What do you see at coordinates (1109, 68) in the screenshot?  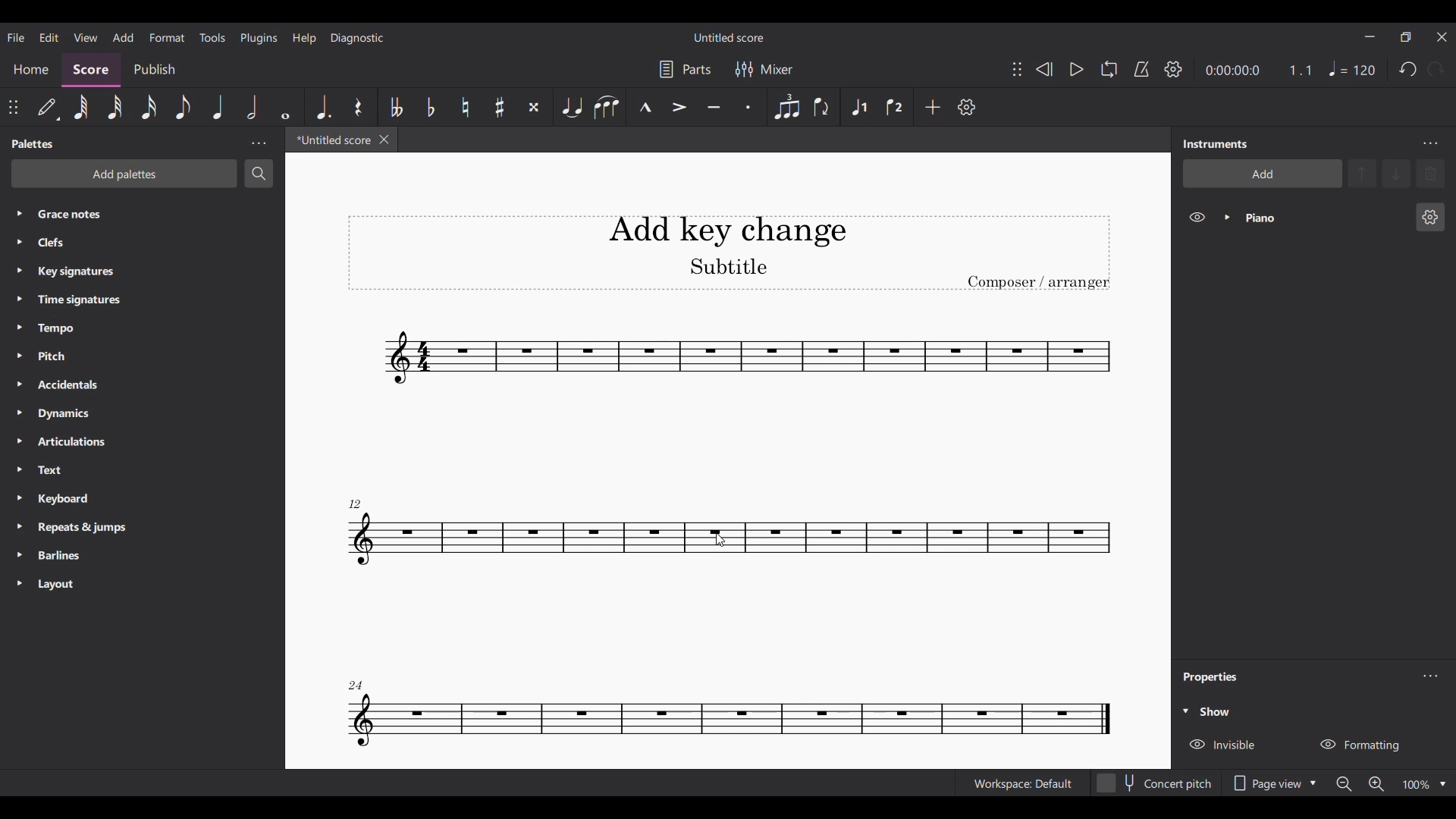 I see `Loop playback ` at bounding box center [1109, 68].